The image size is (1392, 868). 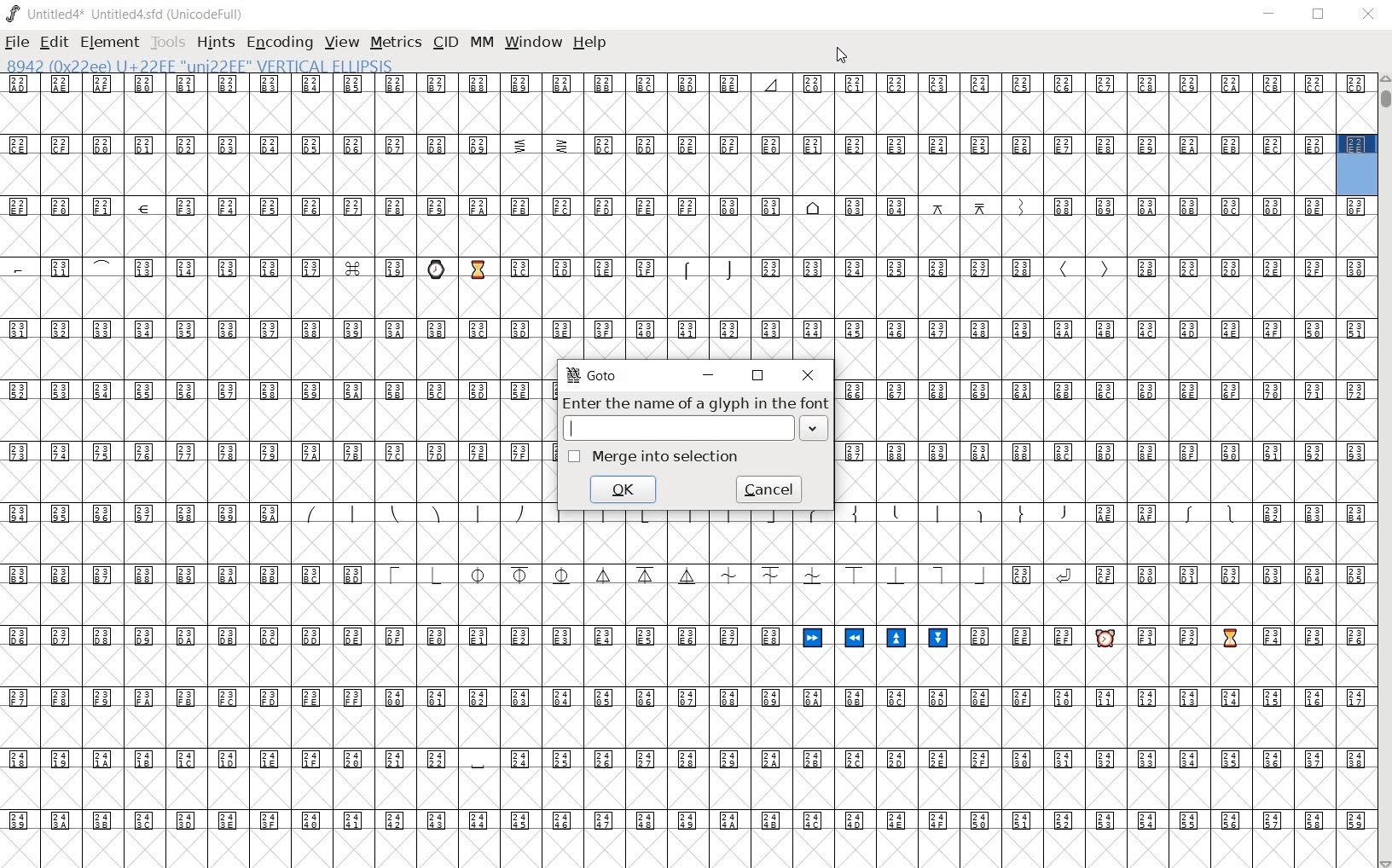 I want to click on CURSOR, so click(x=841, y=56).